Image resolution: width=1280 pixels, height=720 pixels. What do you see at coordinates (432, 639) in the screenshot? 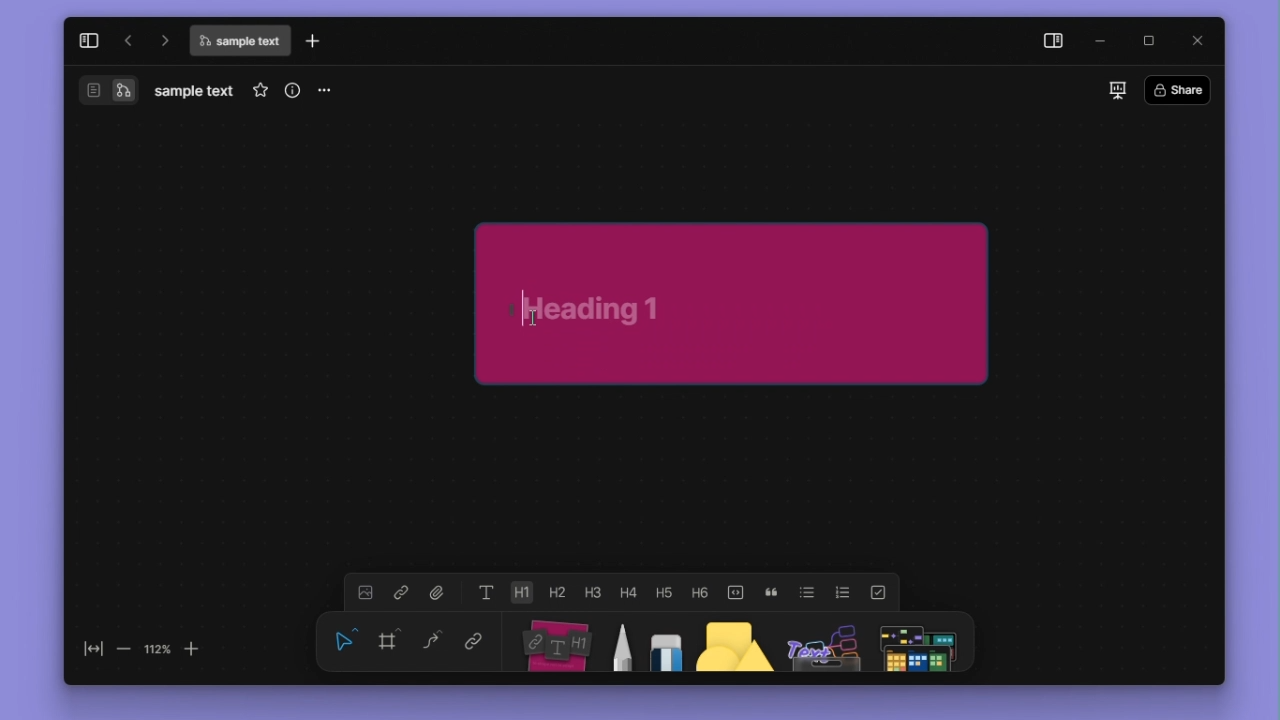
I see `curve` at bounding box center [432, 639].